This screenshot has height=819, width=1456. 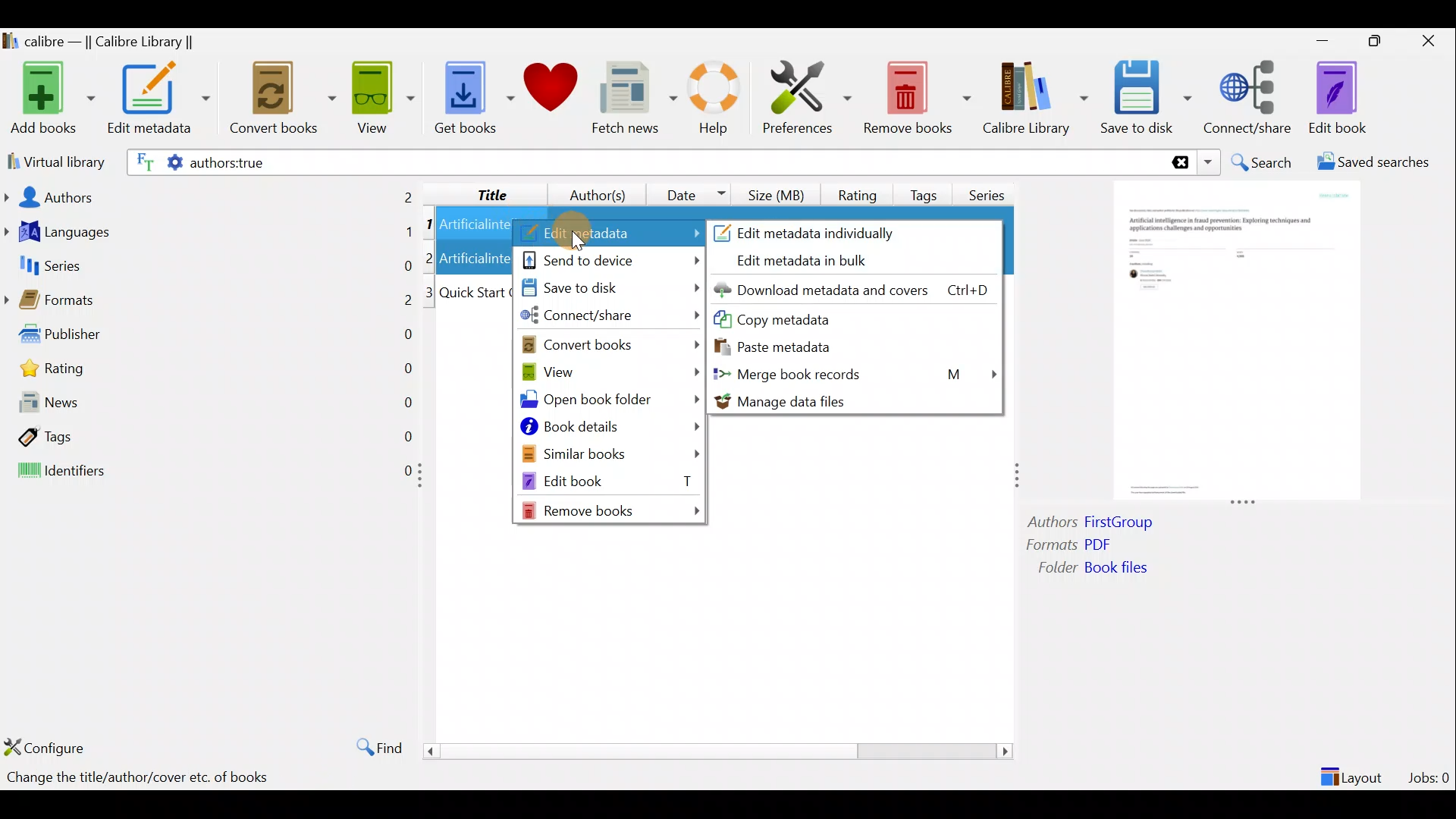 I want to click on Convert books, so click(x=612, y=344).